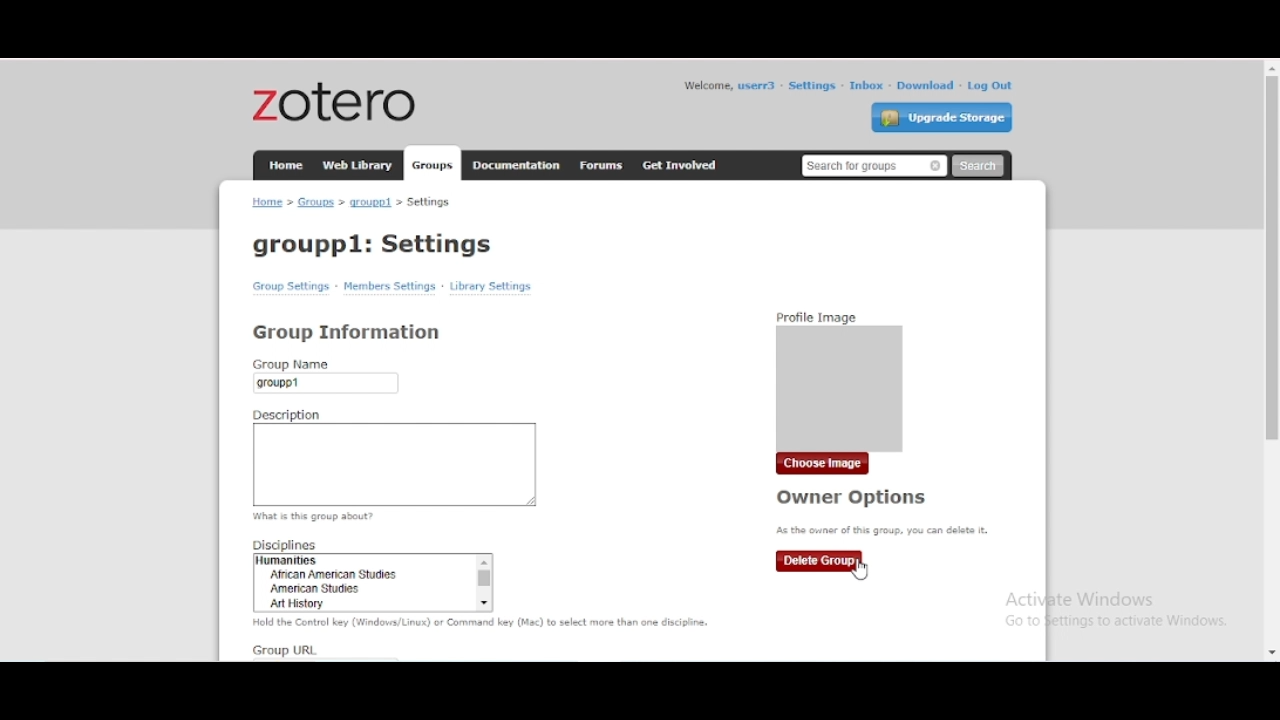  I want to click on profile image, so click(841, 377).